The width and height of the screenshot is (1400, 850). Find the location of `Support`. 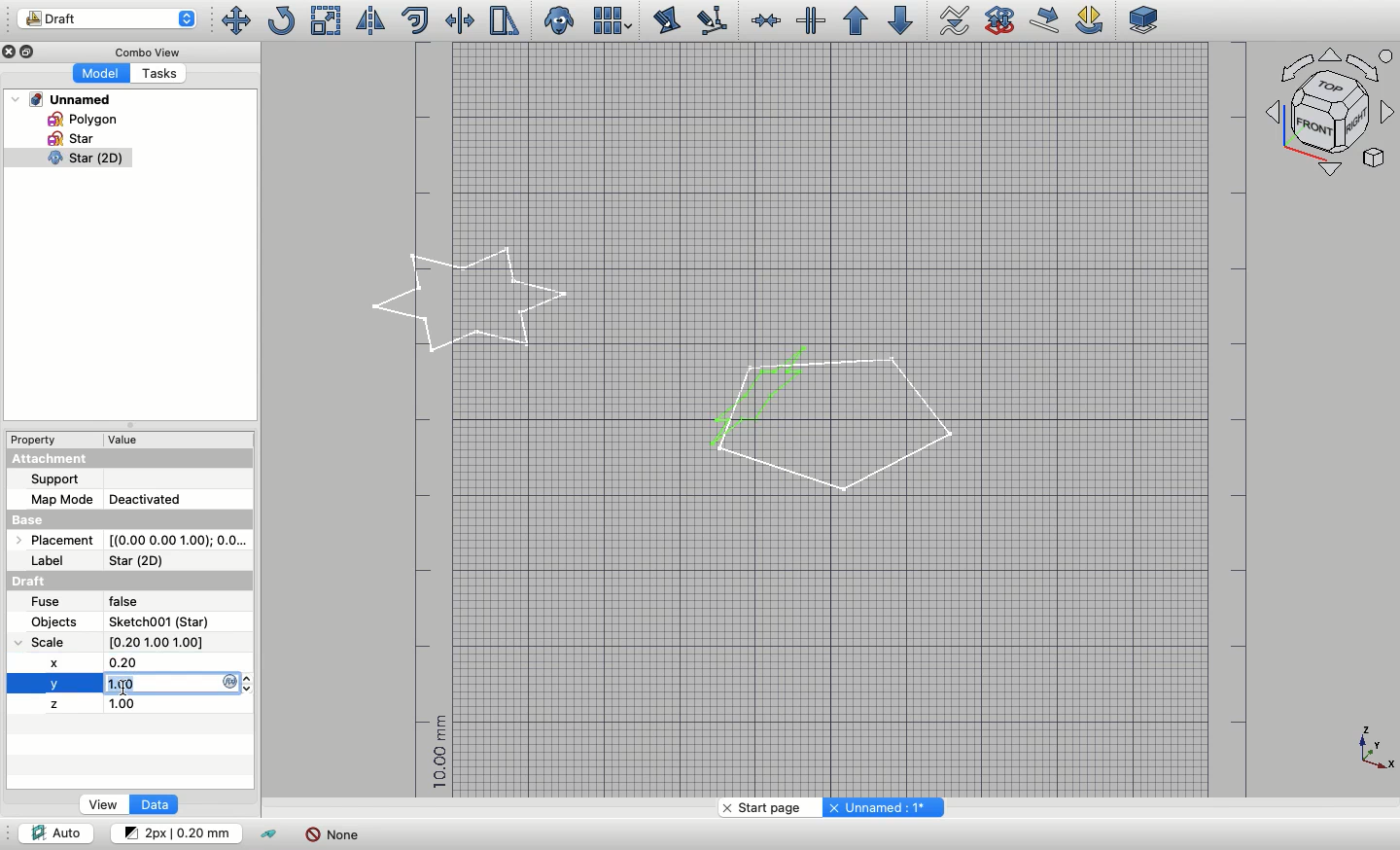

Support is located at coordinates (55, 479).